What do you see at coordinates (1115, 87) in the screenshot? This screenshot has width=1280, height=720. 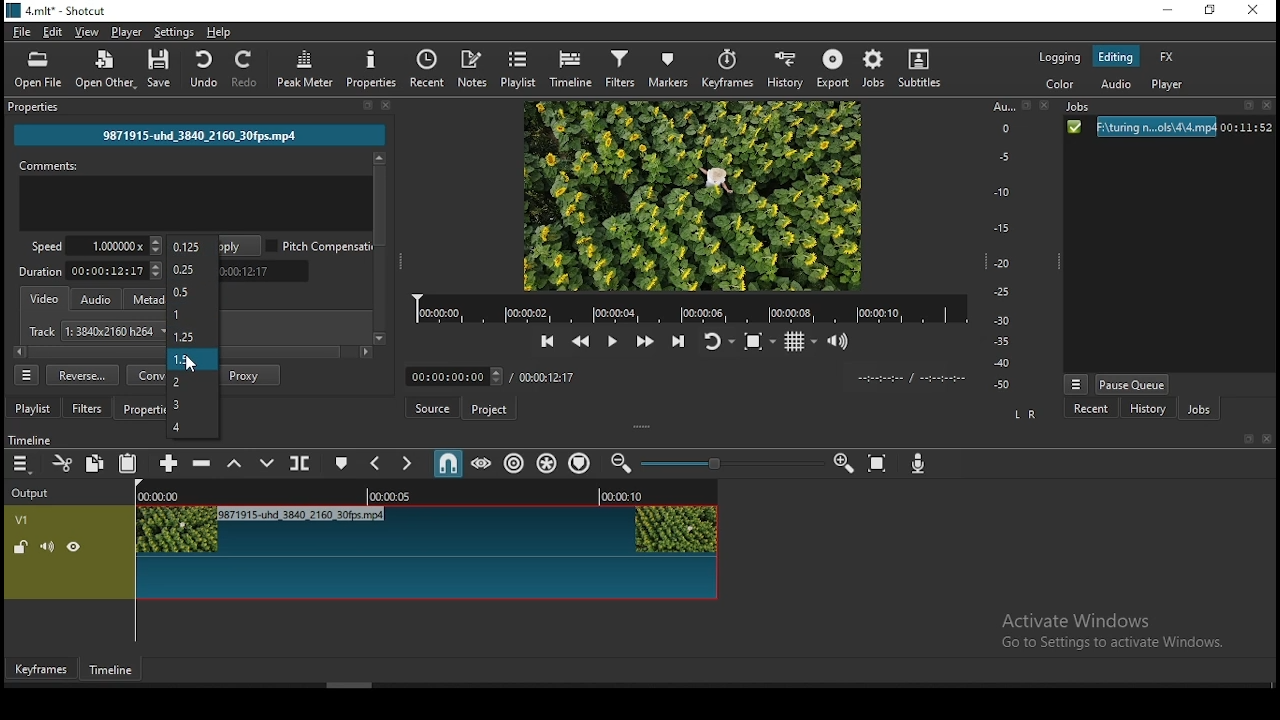 I see `audio` at bounding box center [1115, 87].